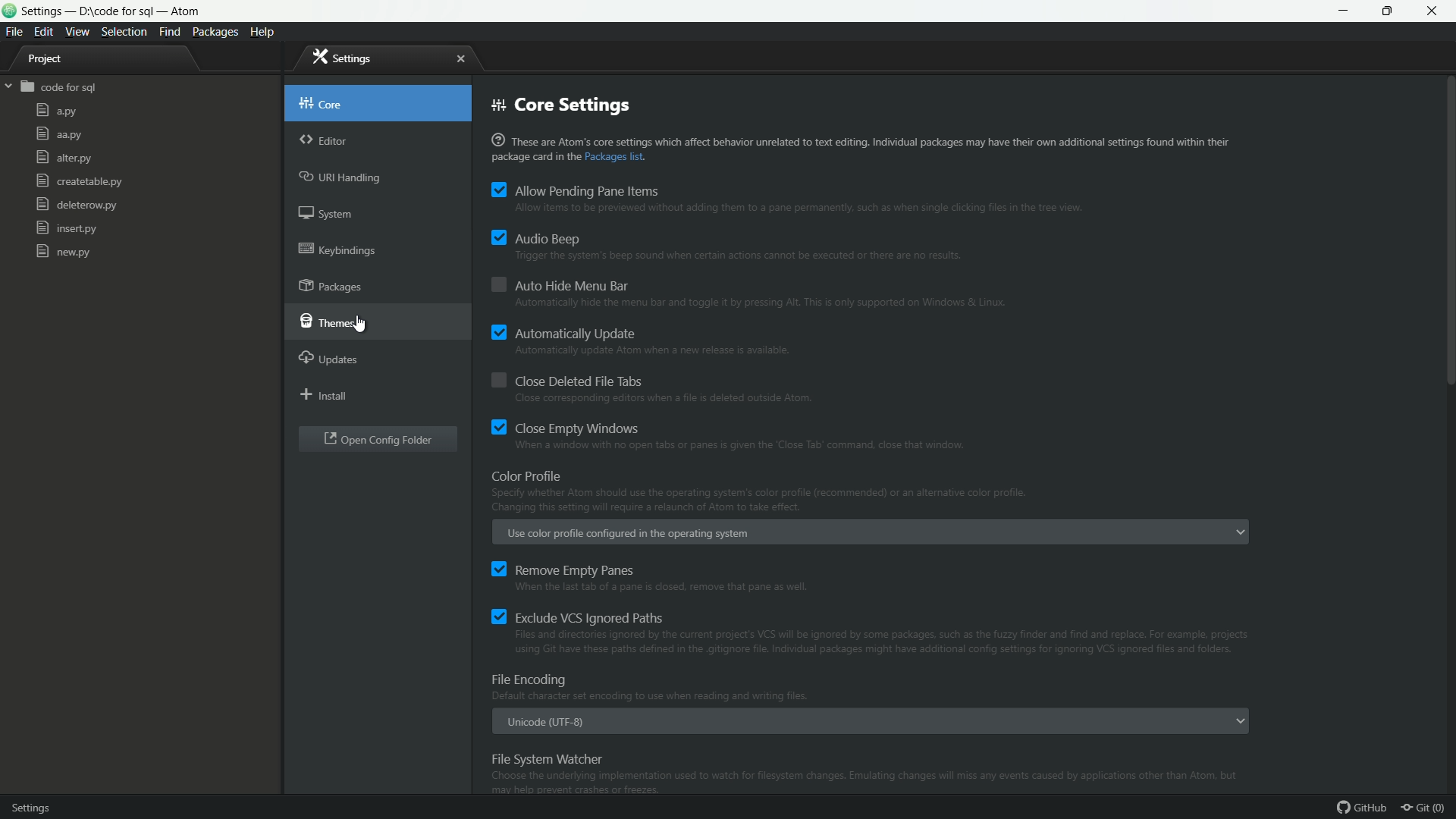 This screenshot has width=1456, height=819. What do you see at coordinates (13, 32) in the screenshot?
I see `file menu` at bounding box center [13, 32].